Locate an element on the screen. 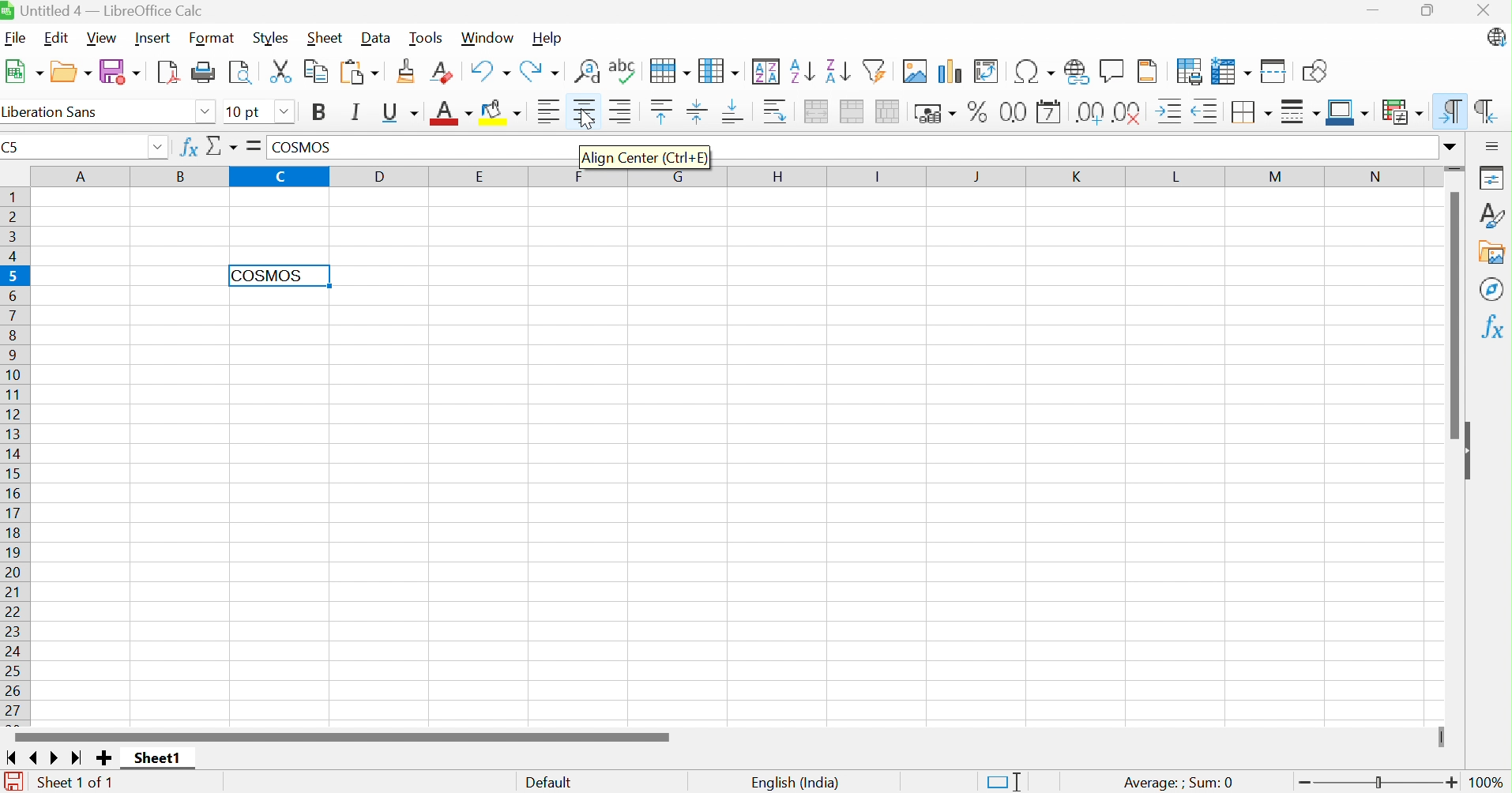  Export as PDF is located at coordinates (167, 73).